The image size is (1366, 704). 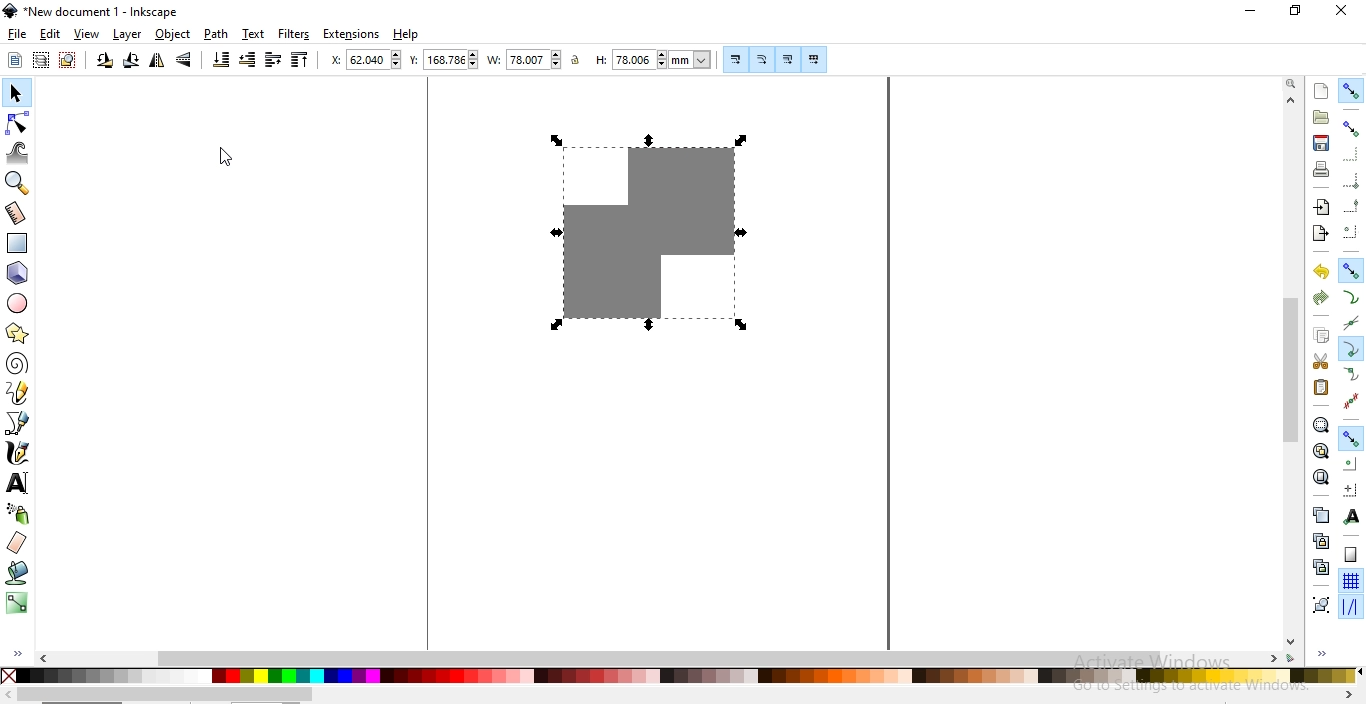 What do you see at coordinates (16, 59) in the screenshot?
I see `select all objects or nodes` at bounding box center [16, 59].